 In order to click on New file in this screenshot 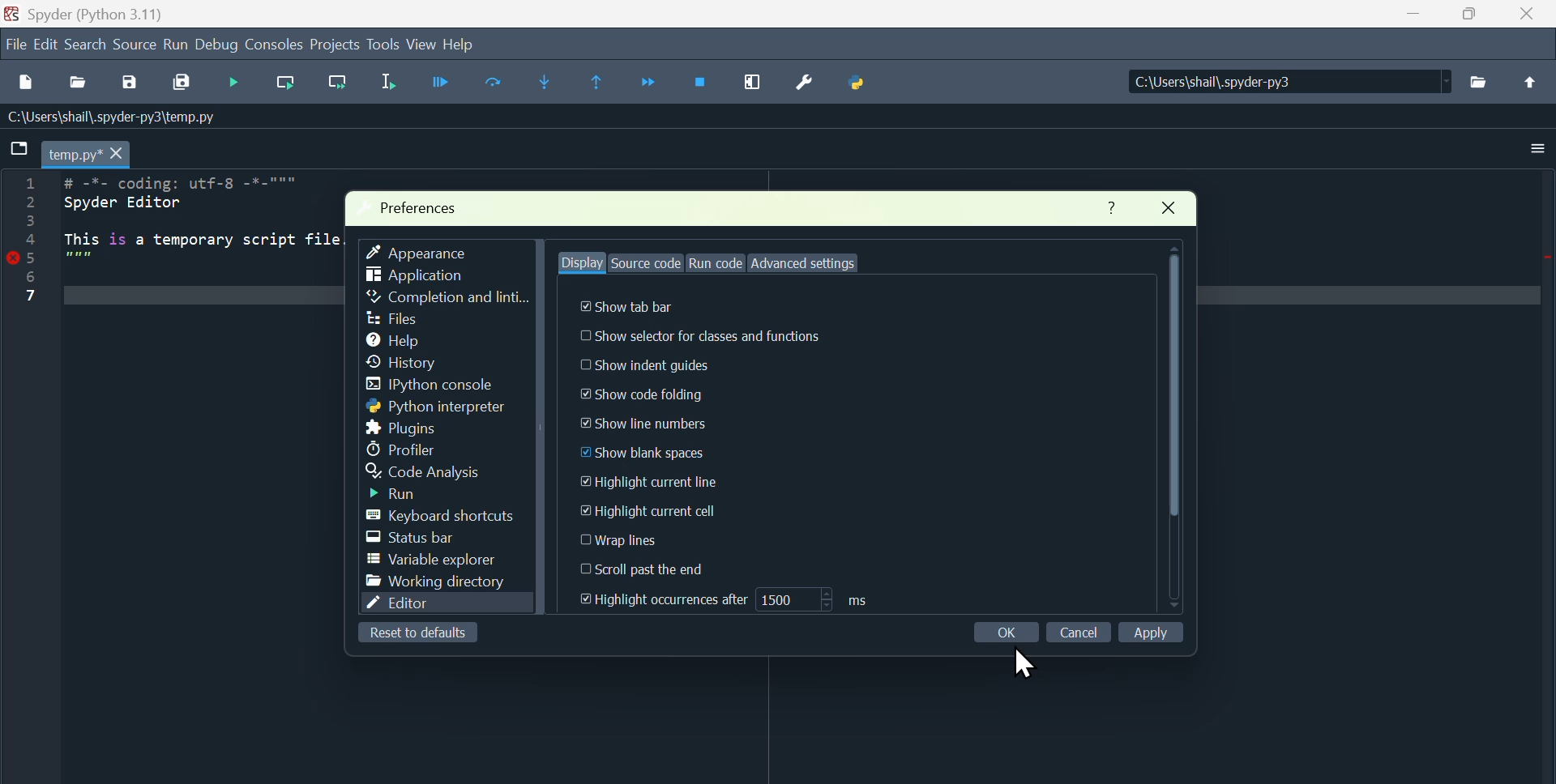, I will do `click(20, 81)`.